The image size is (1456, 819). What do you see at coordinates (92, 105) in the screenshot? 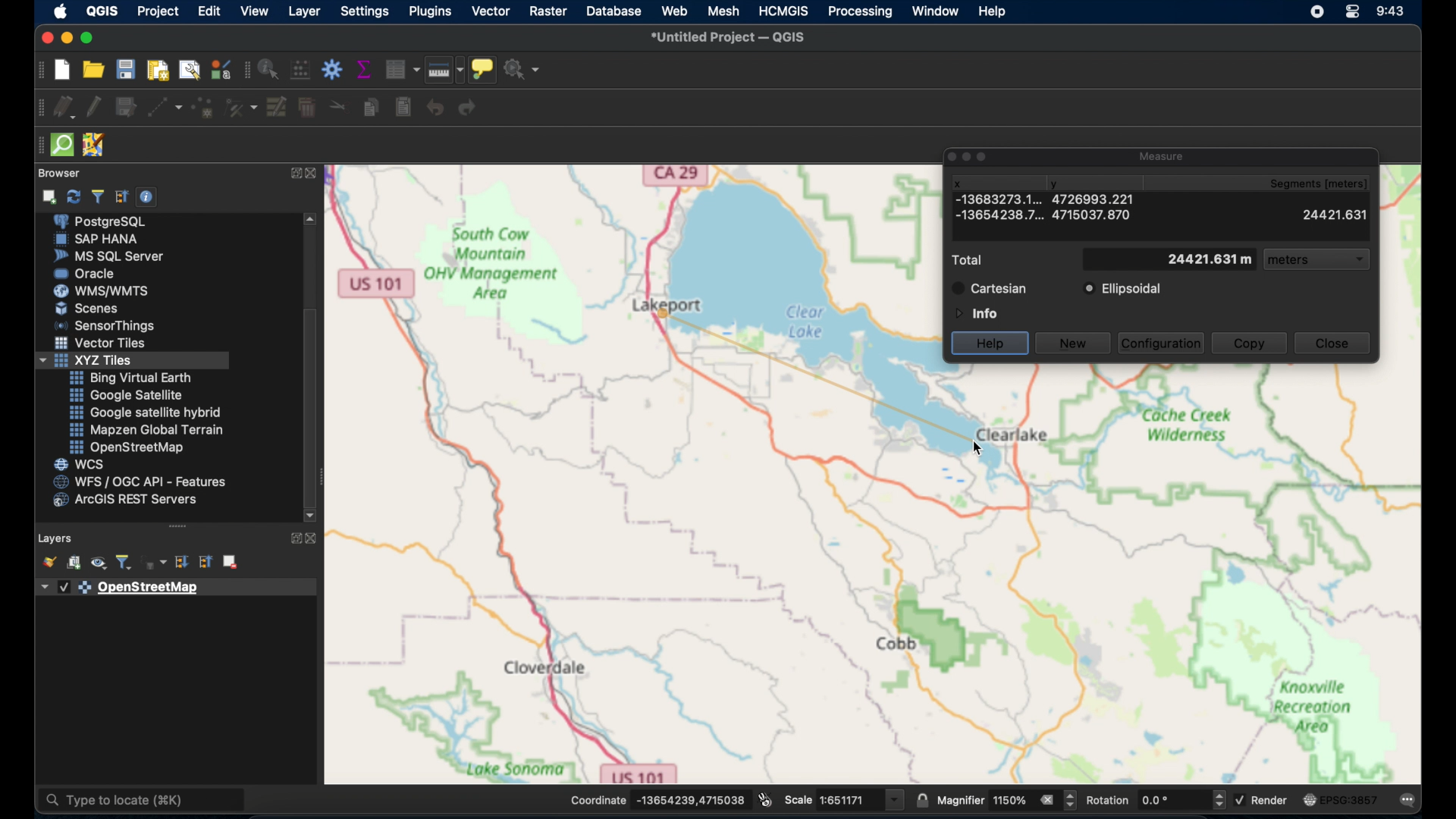
I see `toggle editing` at bounding box center [92, 105].